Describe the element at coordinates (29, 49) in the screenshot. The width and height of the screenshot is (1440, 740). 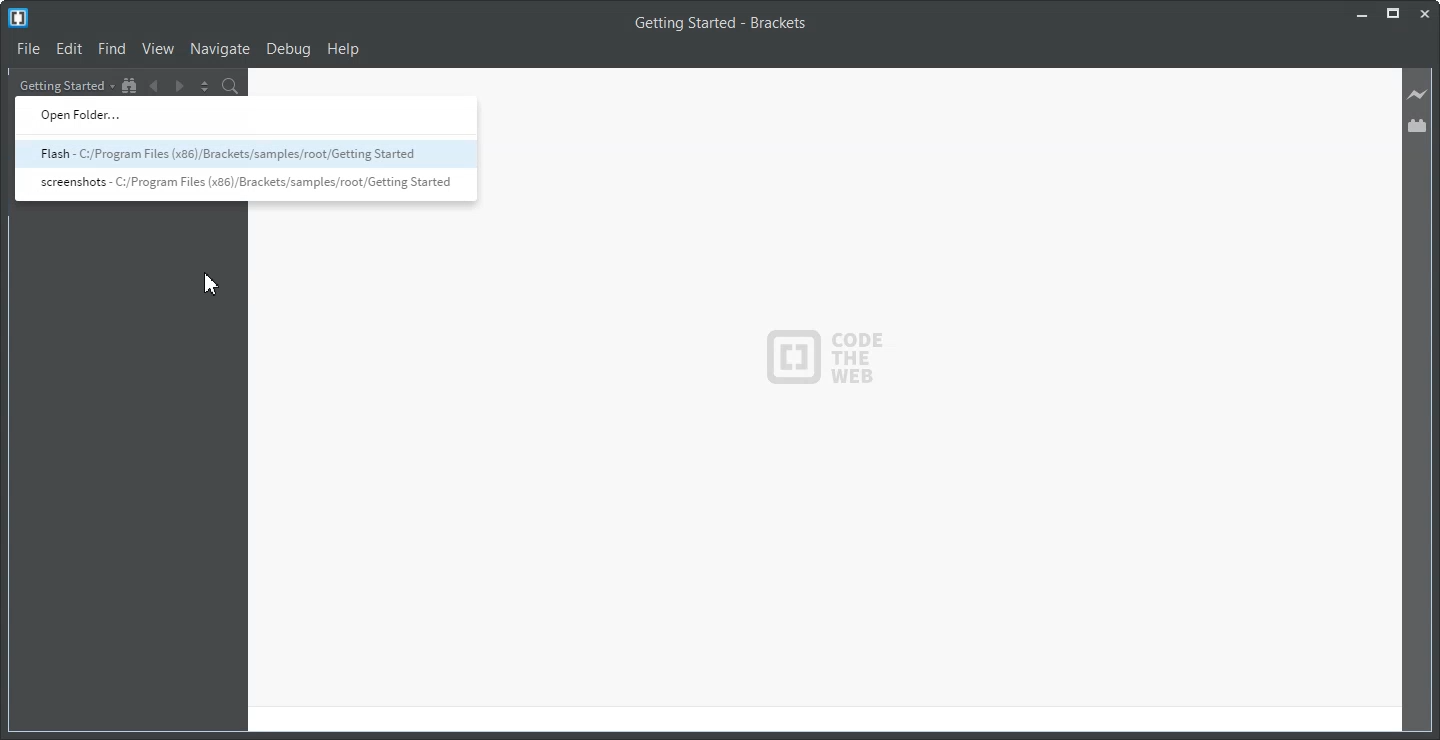
I see `File` at that location.